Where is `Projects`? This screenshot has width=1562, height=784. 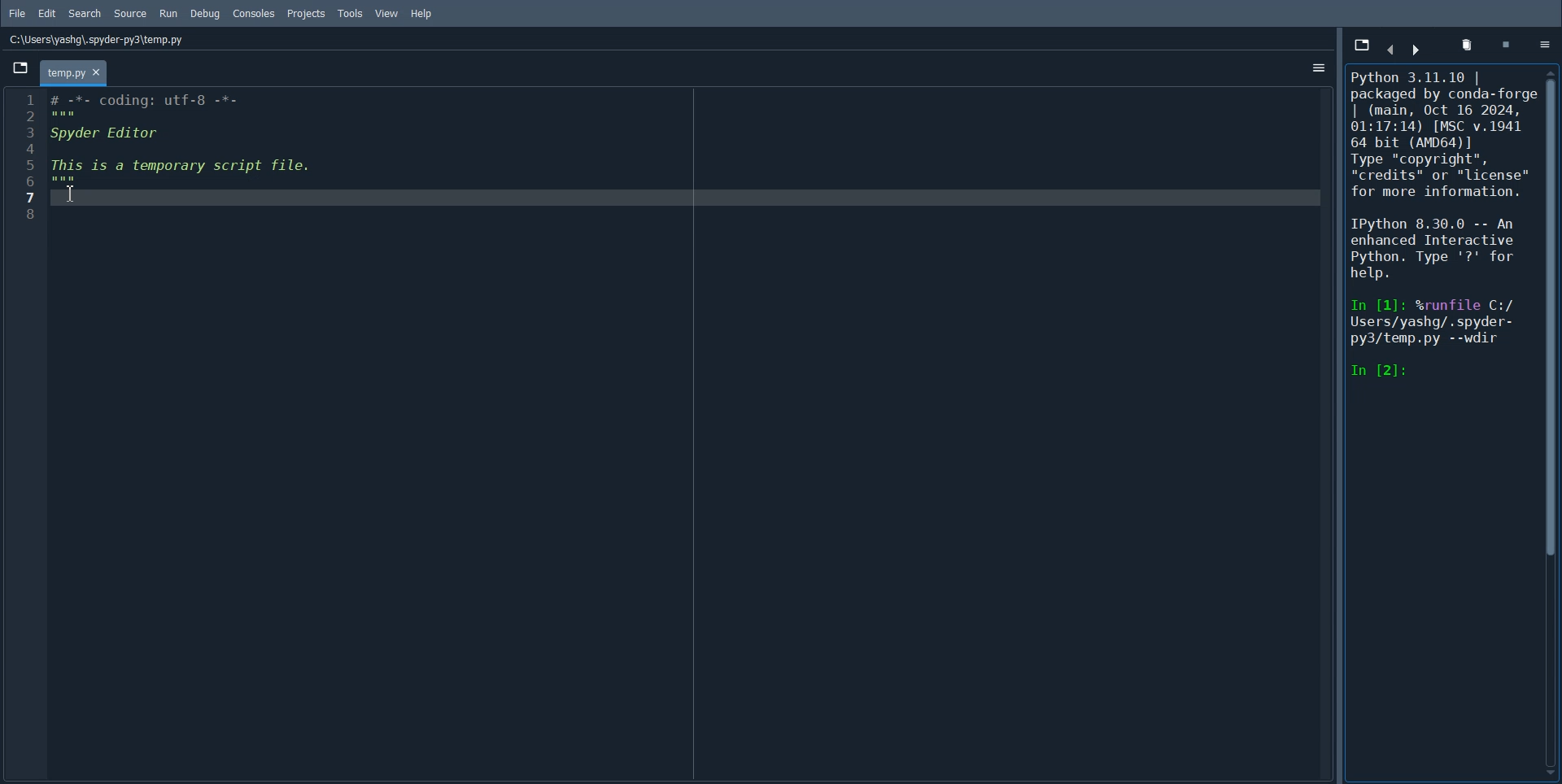
Projects is located at coordinates (306, 14).